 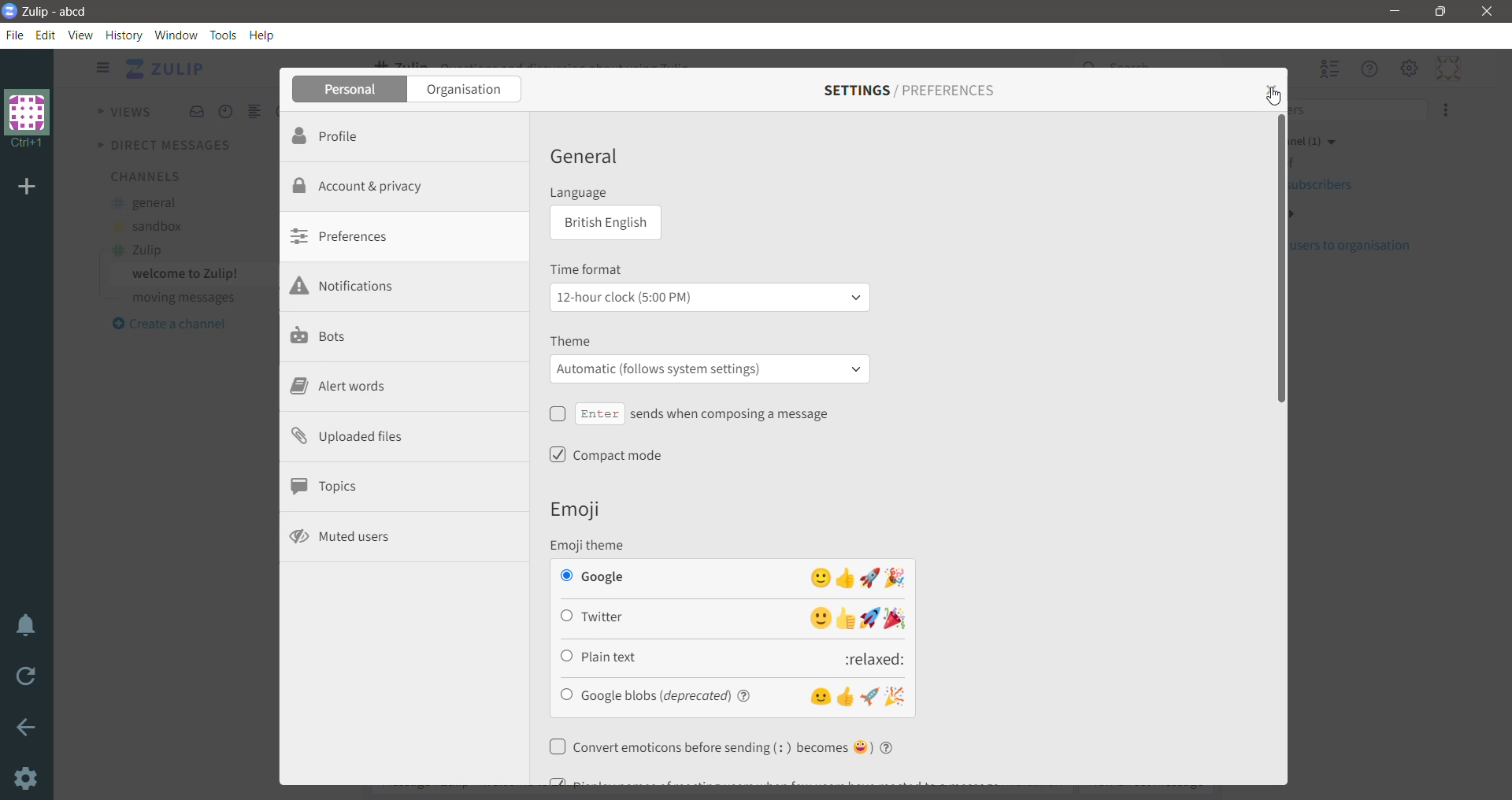 I want to click on Google, so click(x=731, y=579).